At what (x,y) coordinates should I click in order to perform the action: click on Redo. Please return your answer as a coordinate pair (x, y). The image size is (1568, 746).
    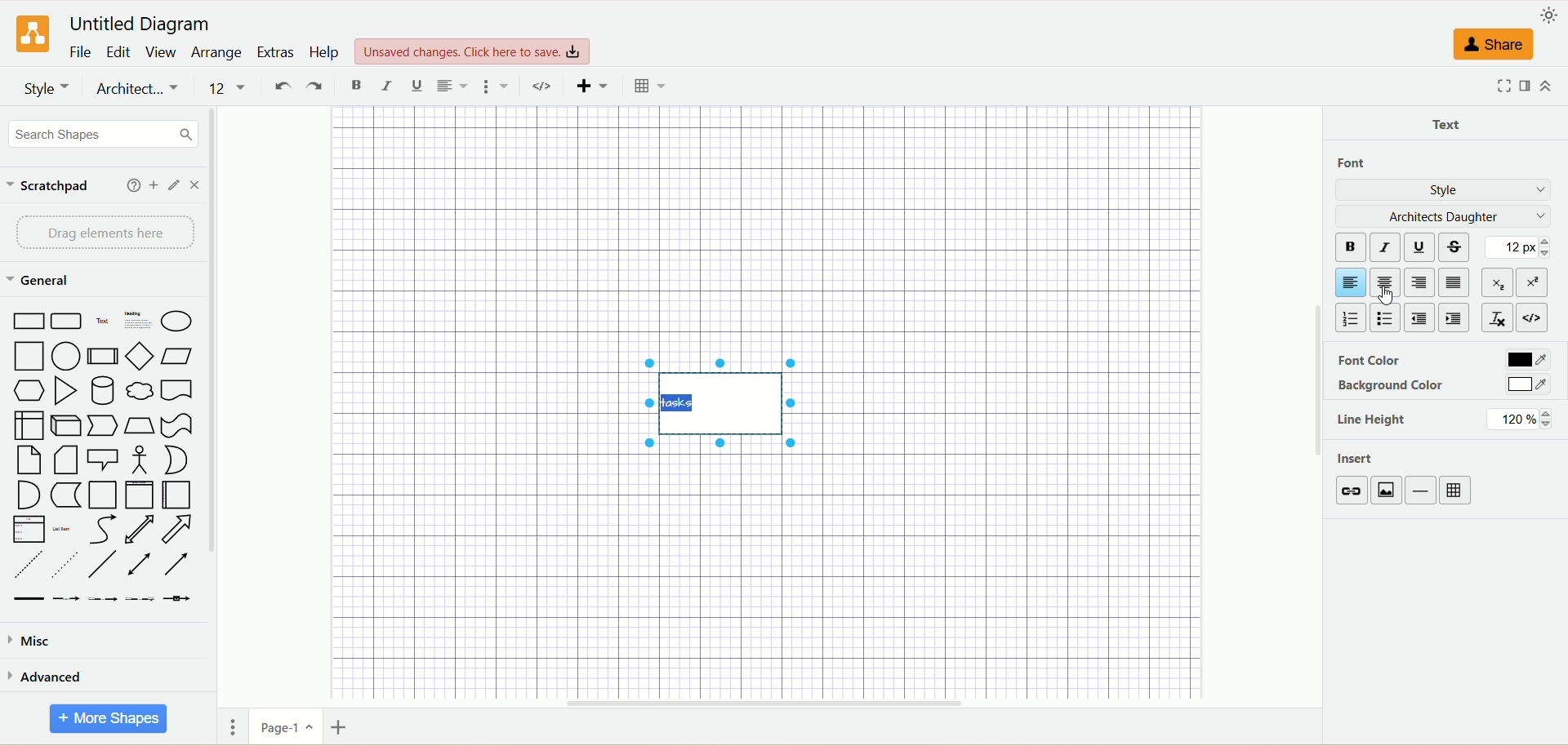
    Looking at the image, I should click on (314, 87).